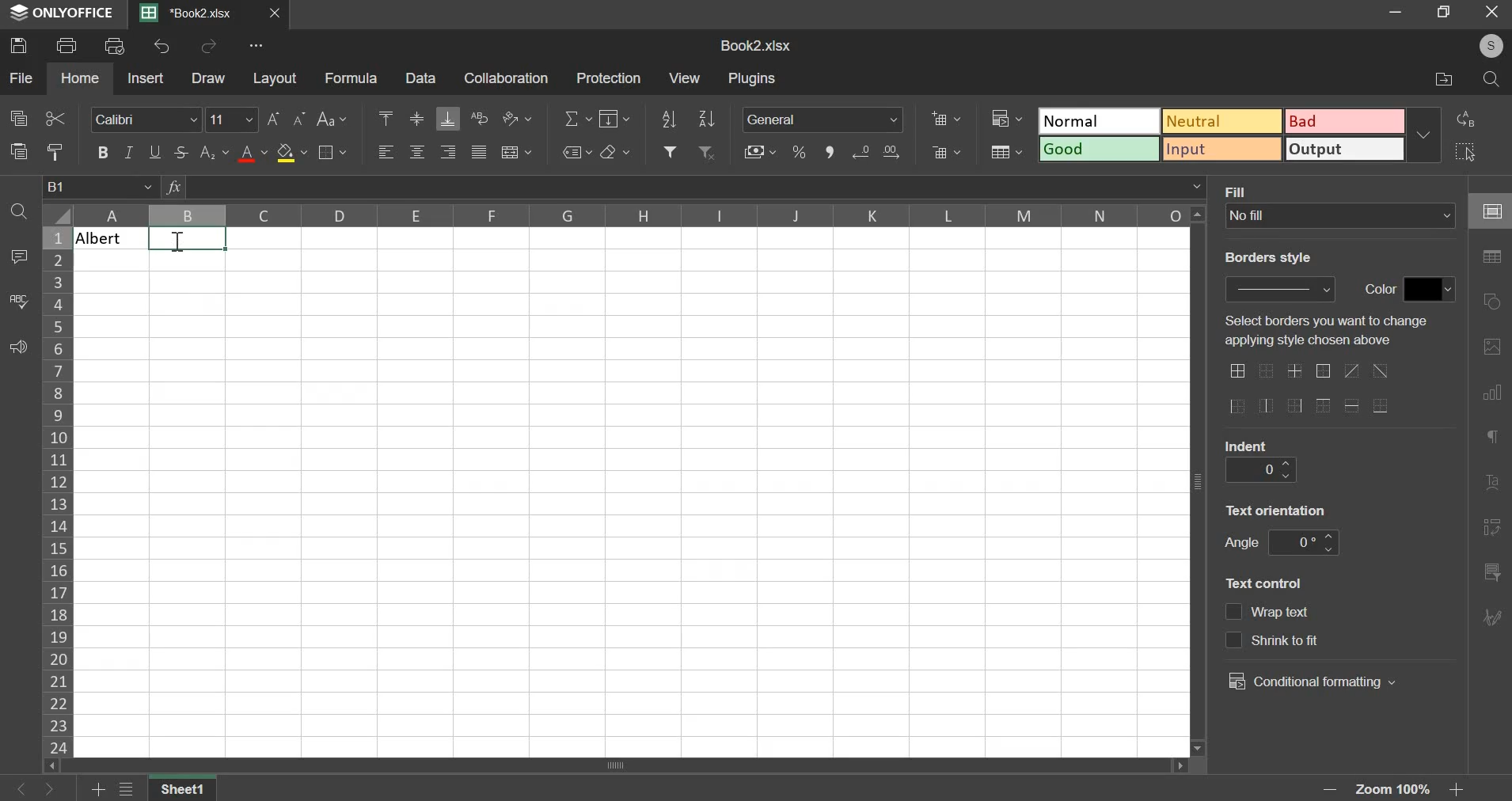 This screenshot has height=801, width=1512. What do you see at coordinates (697, 188) in the screenshot?
I see `formula bar` at bounding box center [697, 188].